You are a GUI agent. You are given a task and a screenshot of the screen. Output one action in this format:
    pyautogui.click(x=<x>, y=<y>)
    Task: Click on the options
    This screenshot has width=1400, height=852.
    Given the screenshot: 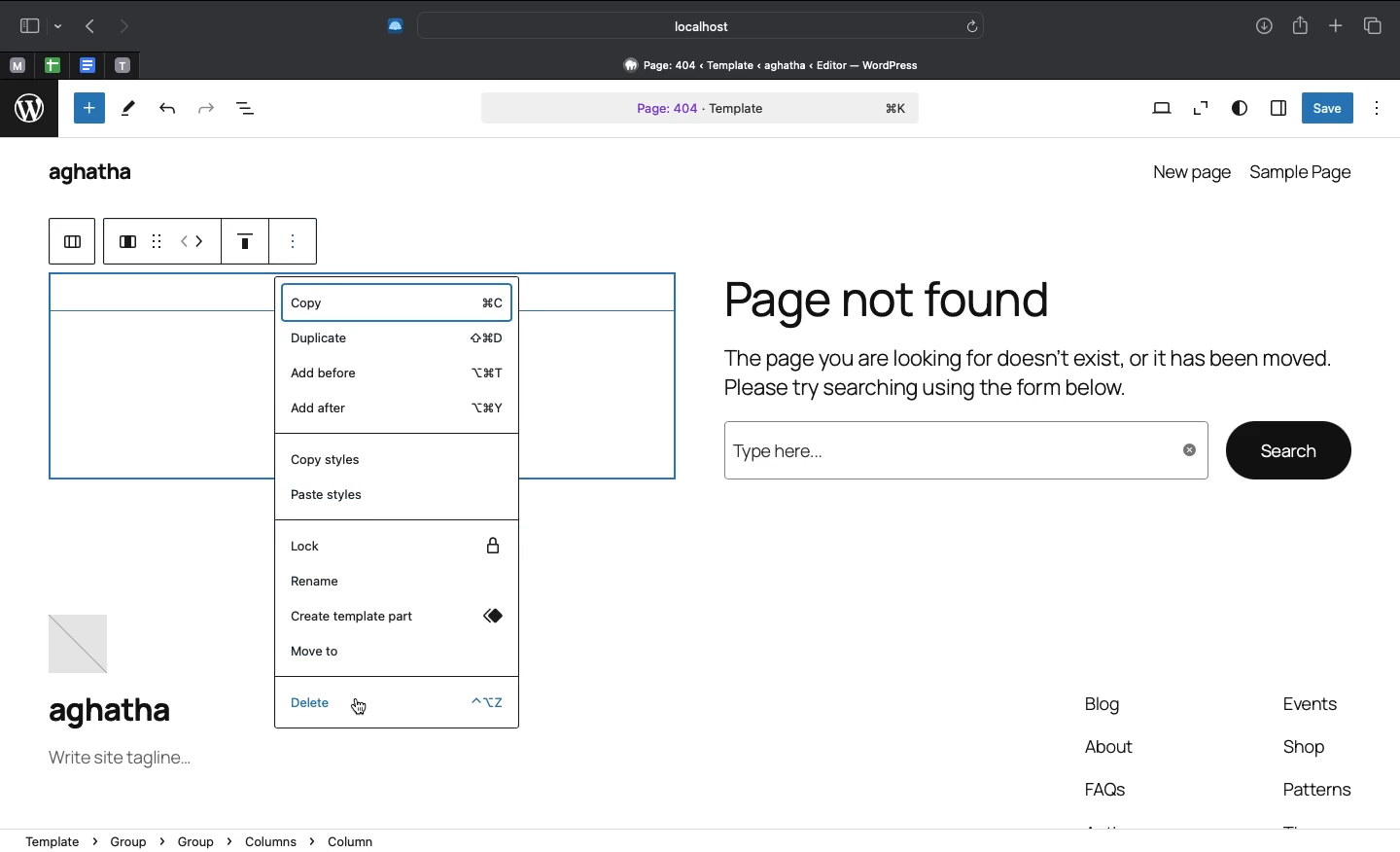 What is the action you would take?
    pyautogui.click(x=296, y=236)
    